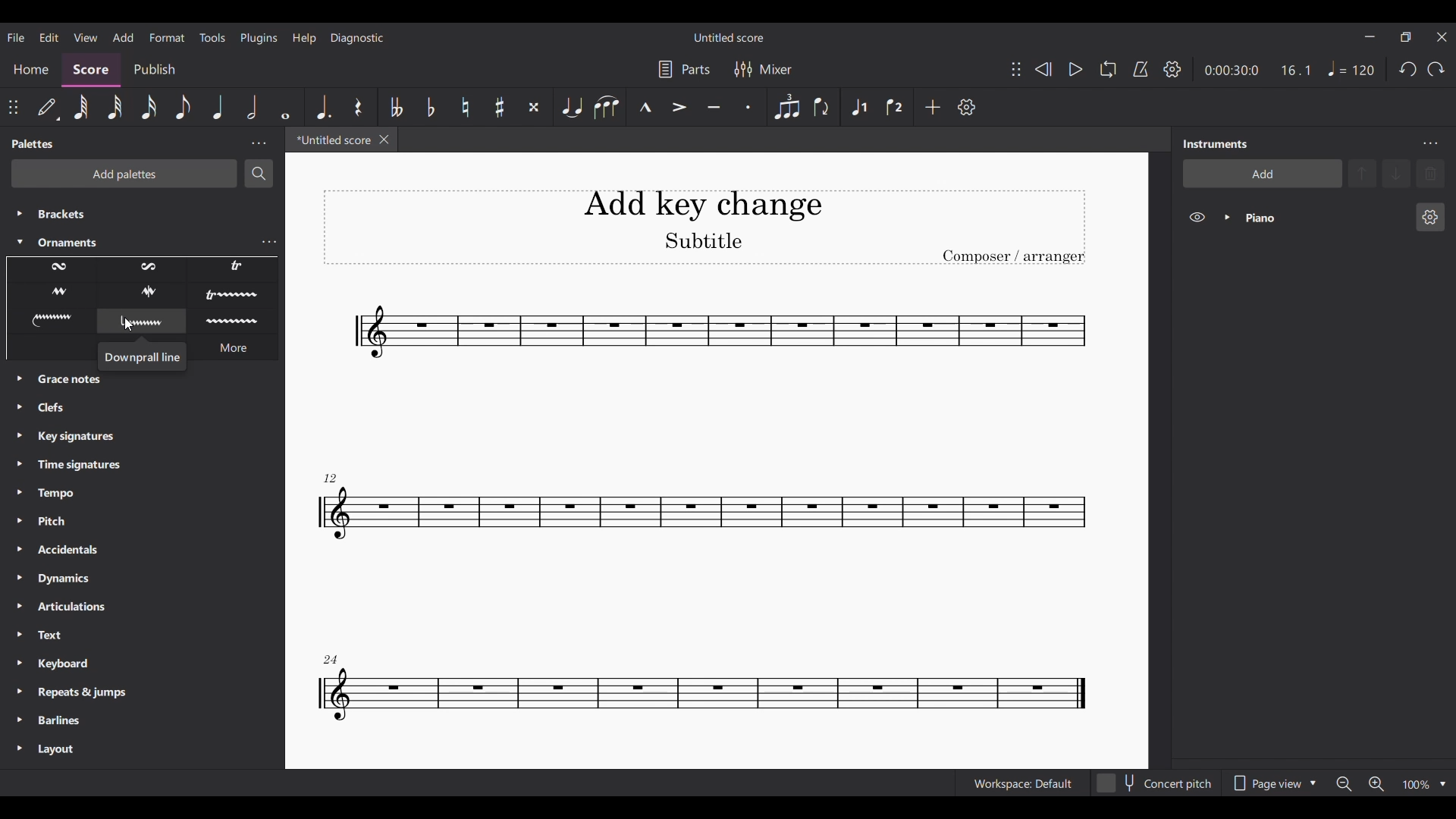 This screenshot has height=819, width=1456. I want to click on Tie, so click(571, 107).